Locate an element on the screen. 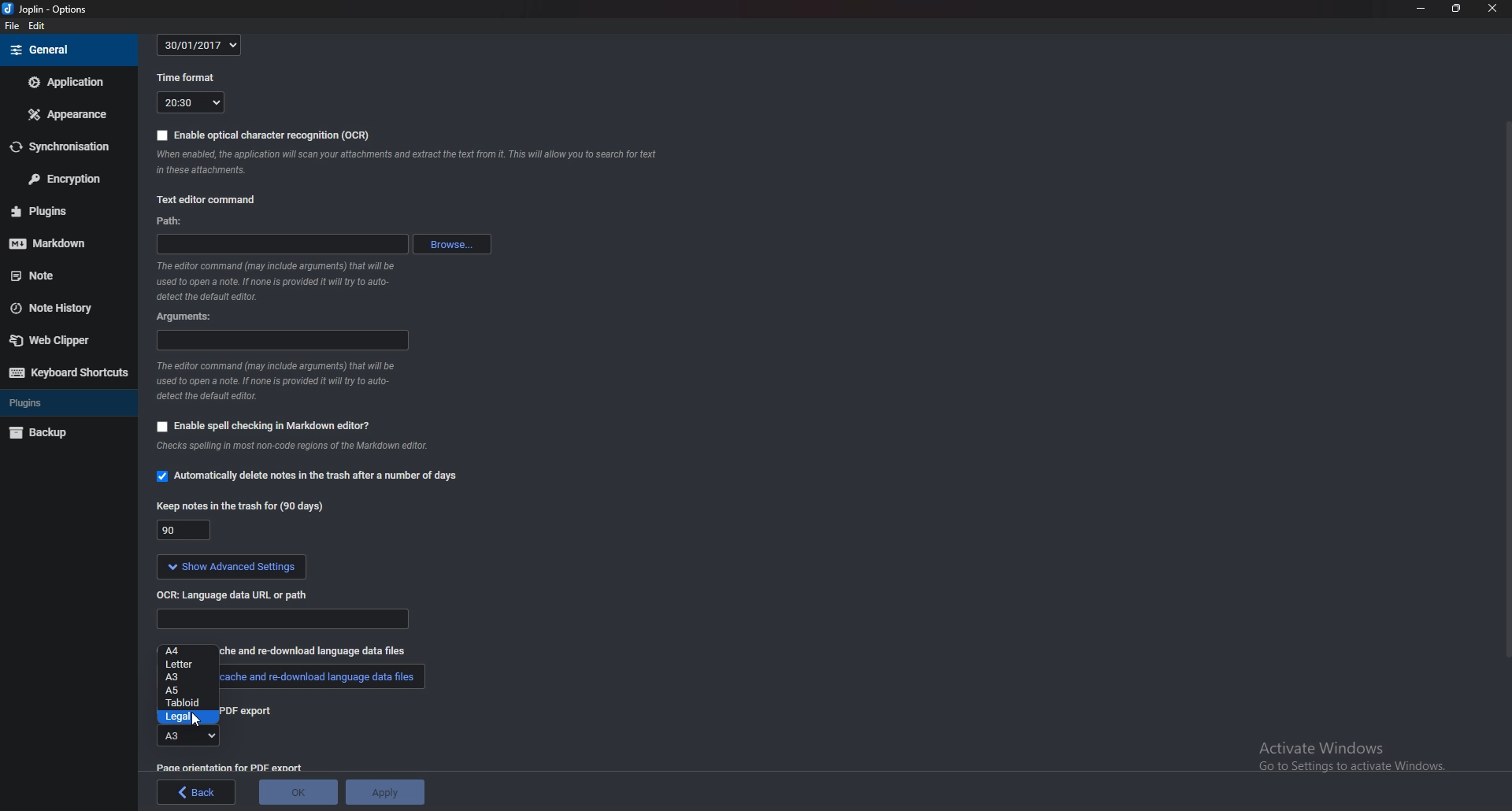 The width and height of the screenshot is (1512, 811). cache and re-download language data files is located at coordinates (320, 680).